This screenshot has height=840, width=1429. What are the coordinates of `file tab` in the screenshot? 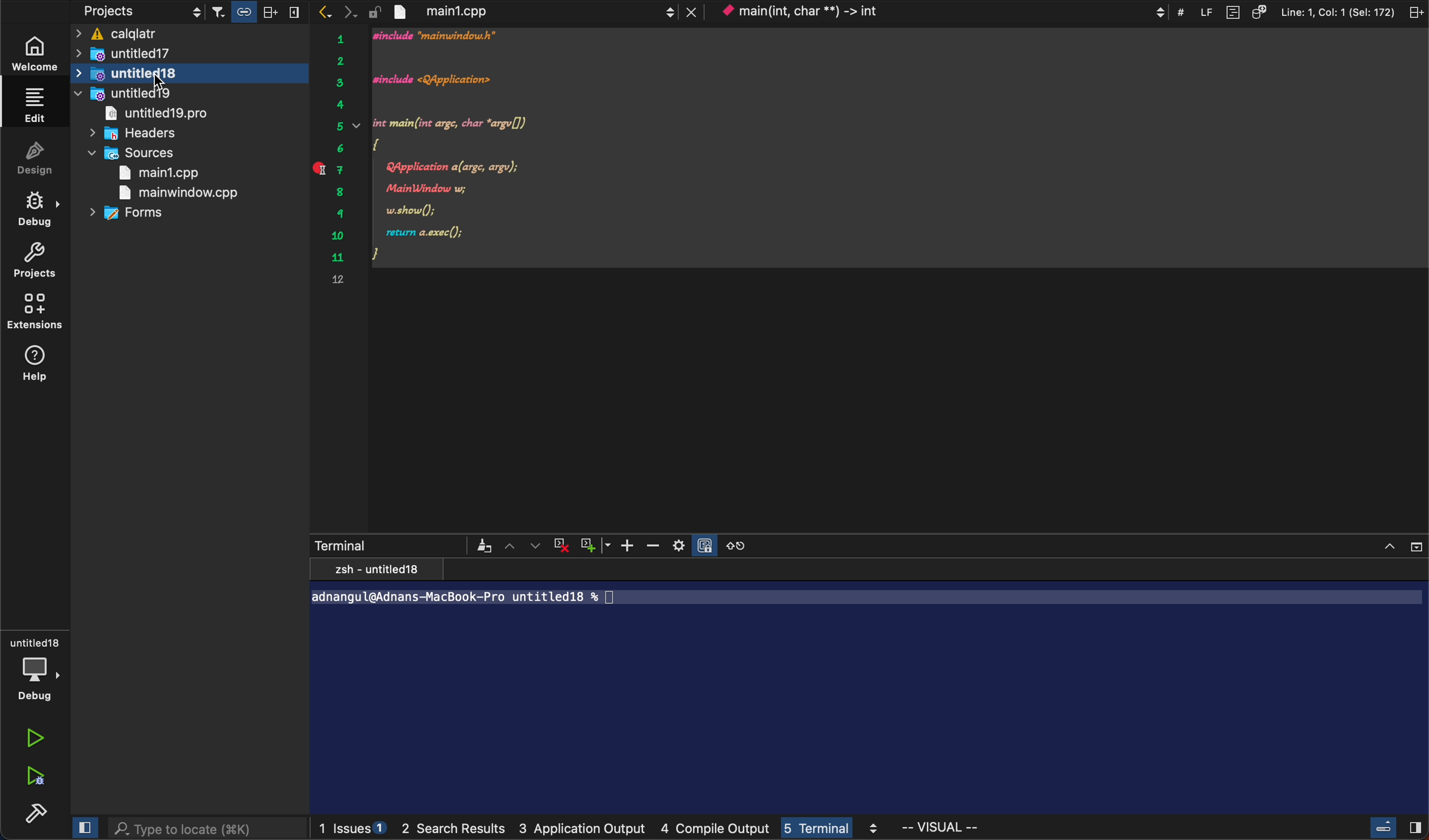 It's located at (523, 12).